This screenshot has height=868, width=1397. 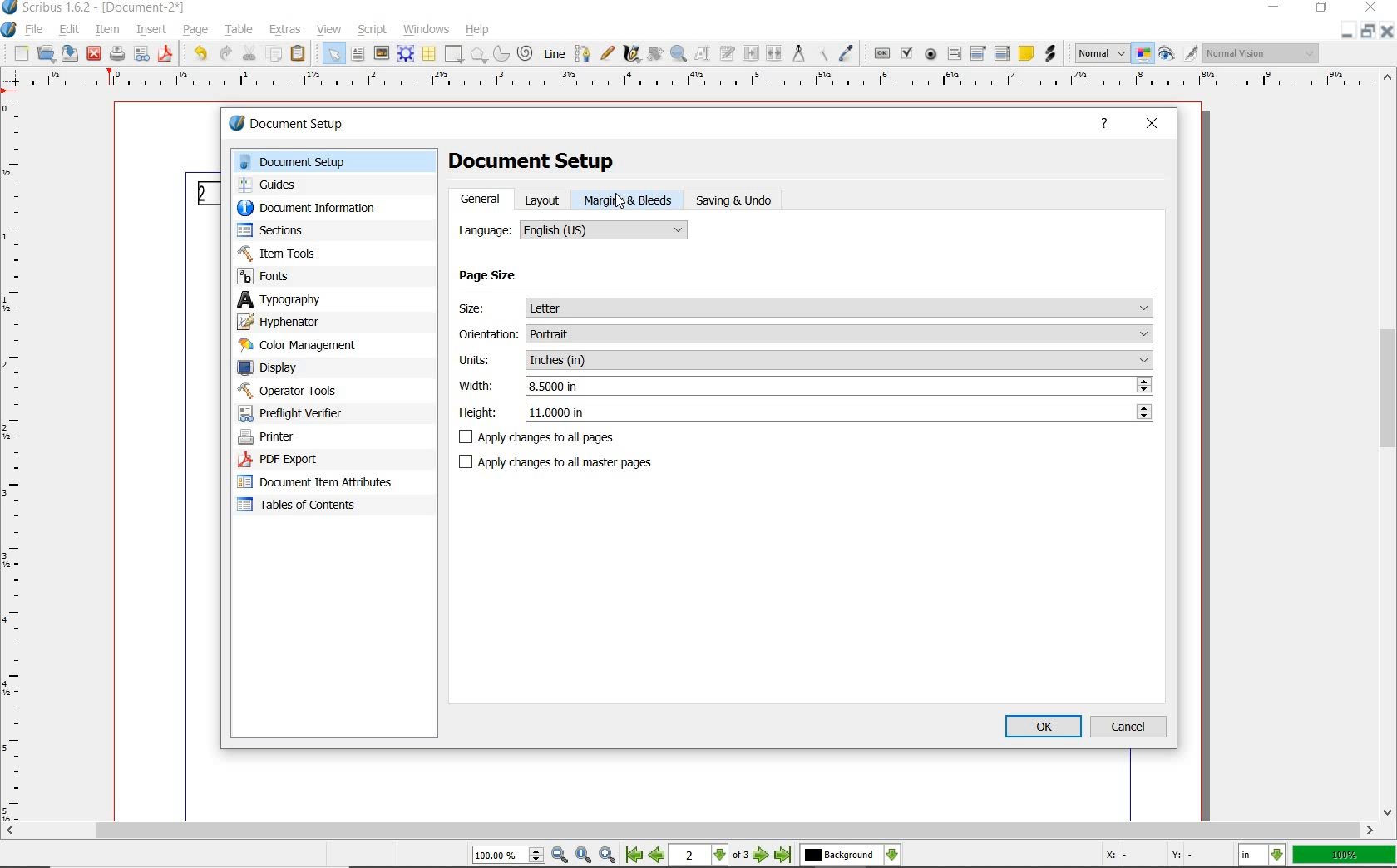 I want to click on zoom factor 100%, so click(x=1345, y=856).